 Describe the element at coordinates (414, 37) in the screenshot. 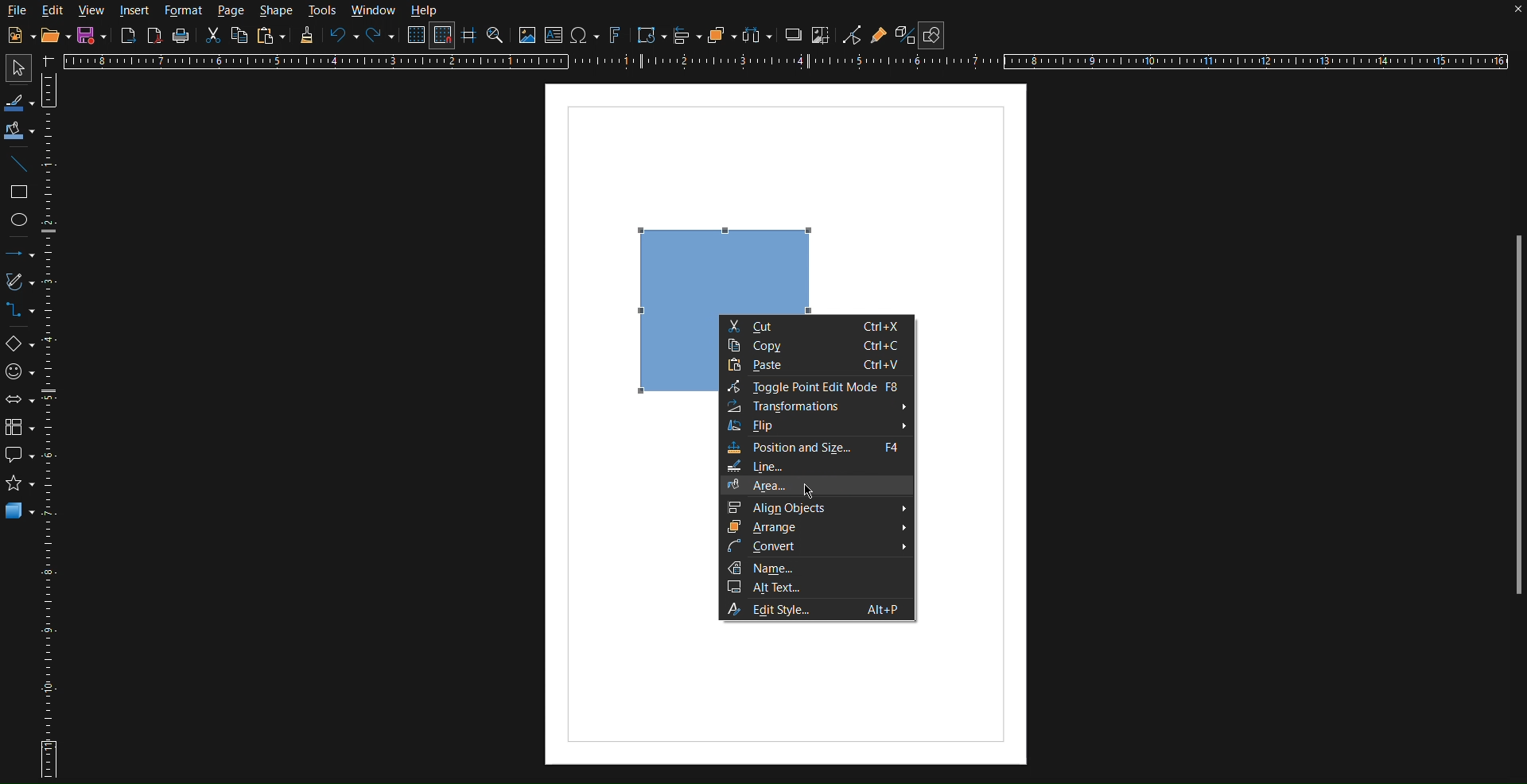

I see `Display Grid` at that location.